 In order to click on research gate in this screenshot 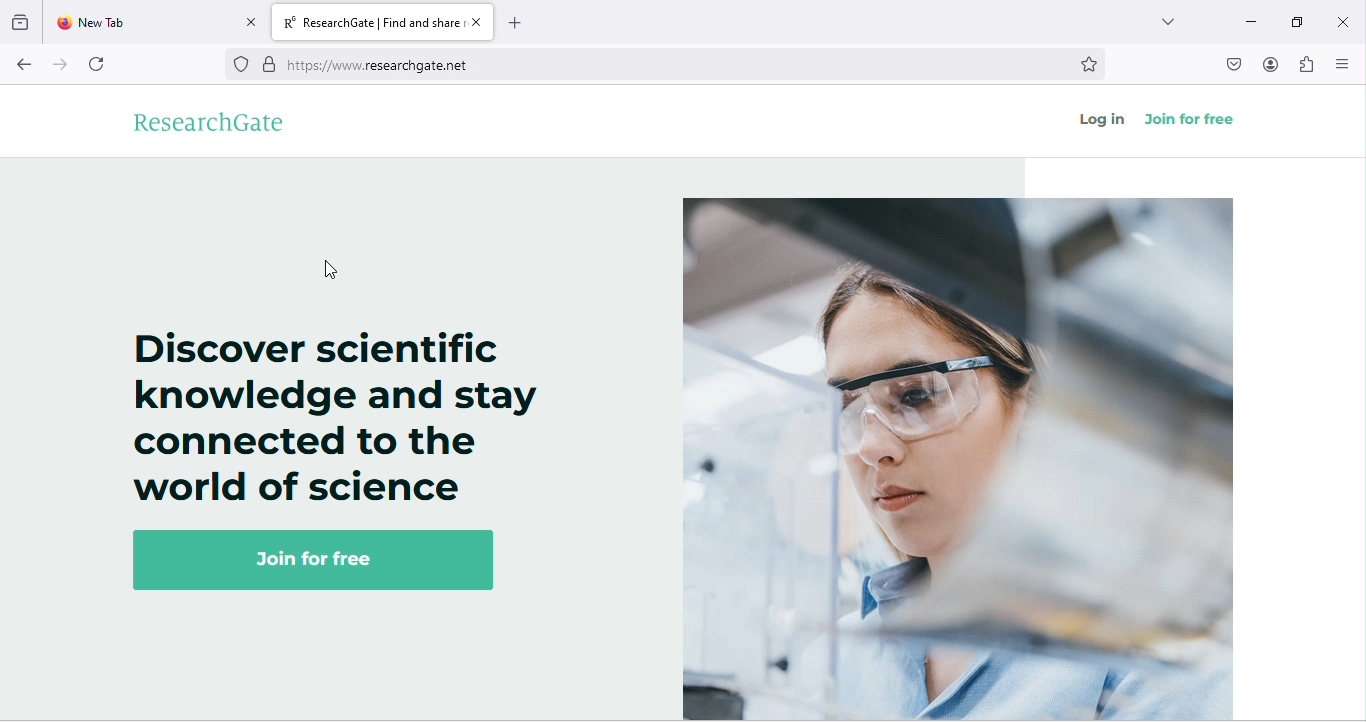, I will do `click(219, 124)`.